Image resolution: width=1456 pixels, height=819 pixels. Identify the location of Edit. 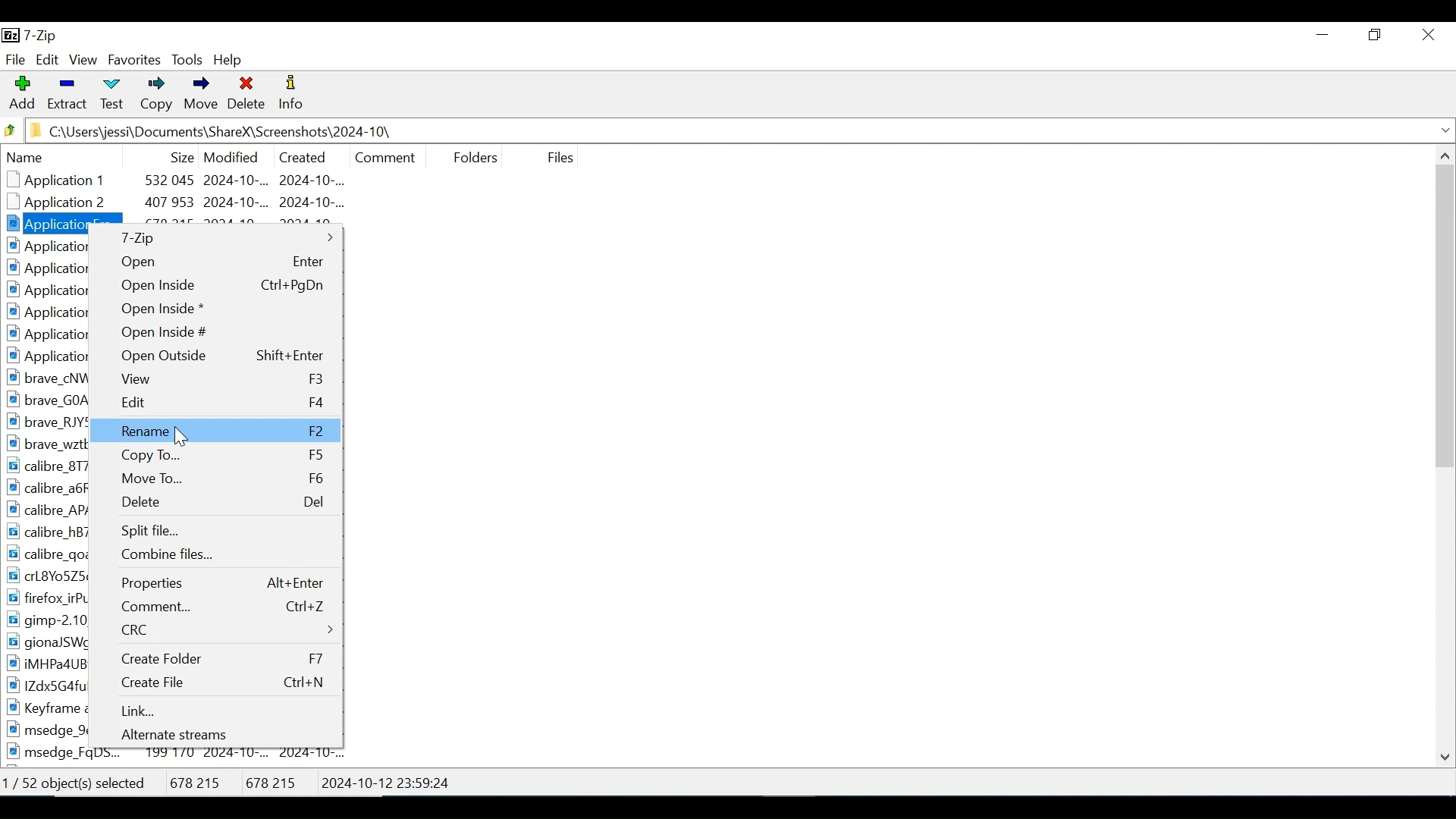
(216, 403).